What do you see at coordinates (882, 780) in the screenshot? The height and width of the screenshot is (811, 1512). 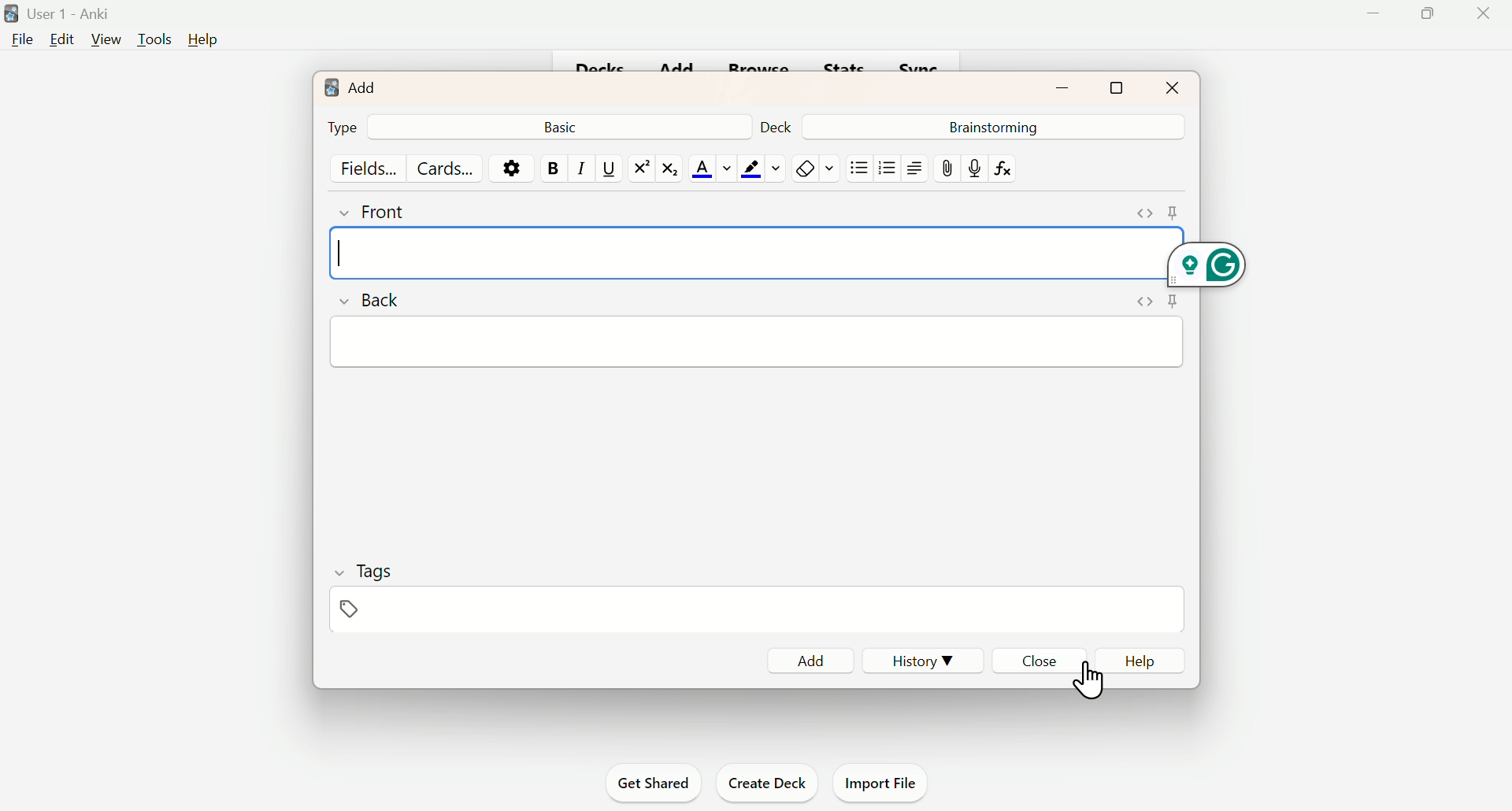 I see `Import File` at bounding box center [882, 780].